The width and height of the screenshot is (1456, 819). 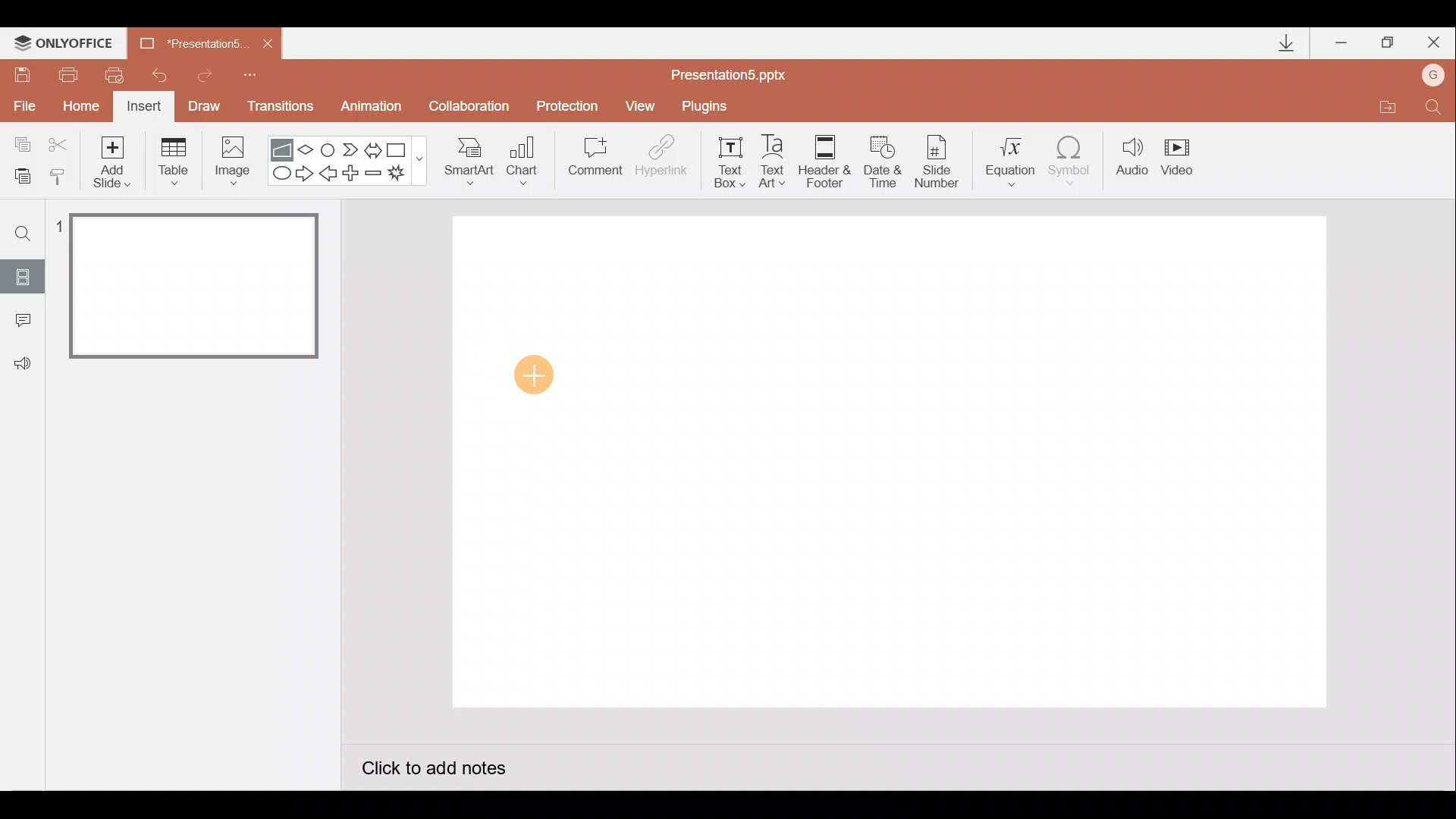 I want to click on Plugins, so click(x=708, y=106).